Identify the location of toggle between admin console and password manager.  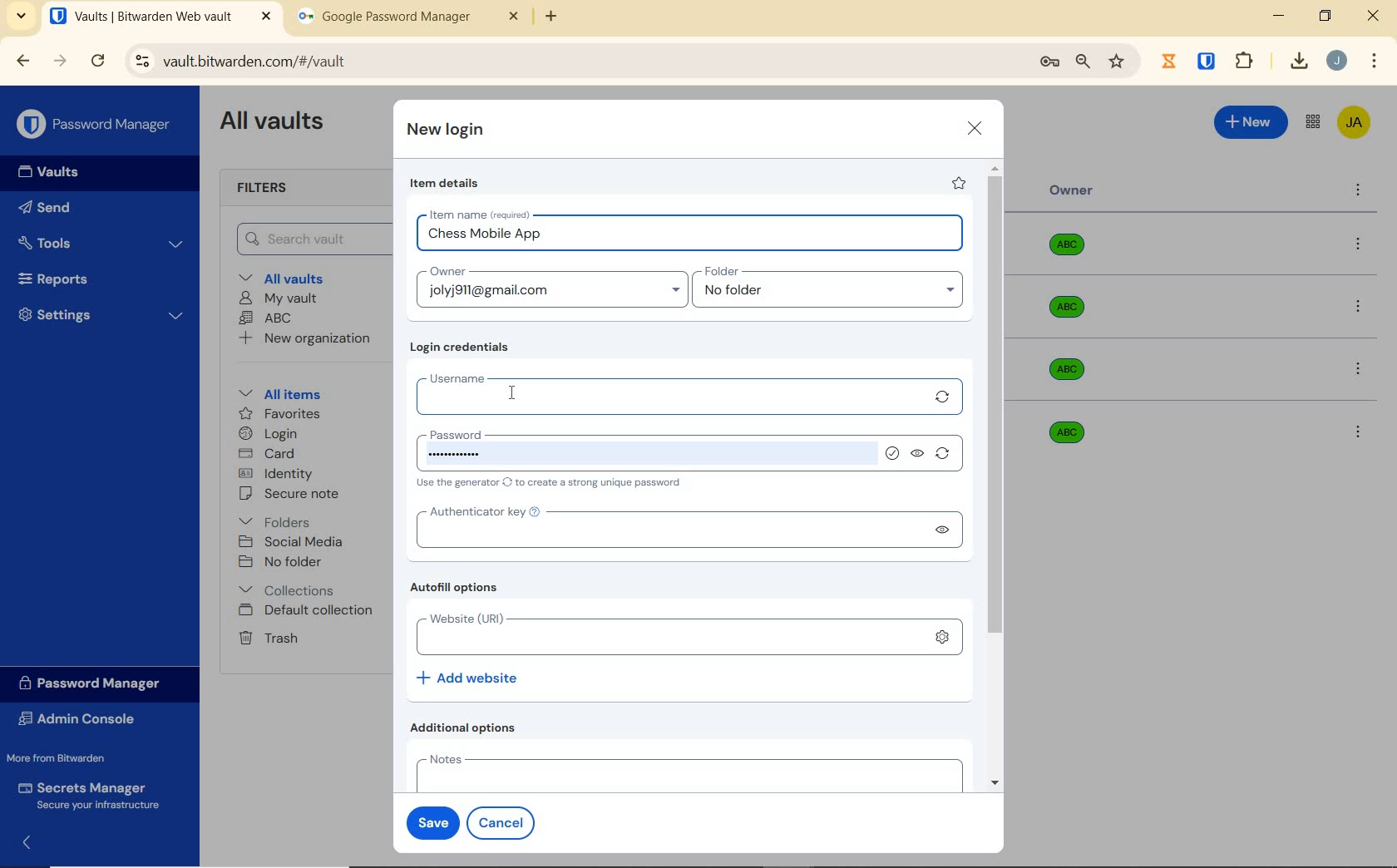
(1311, 123).